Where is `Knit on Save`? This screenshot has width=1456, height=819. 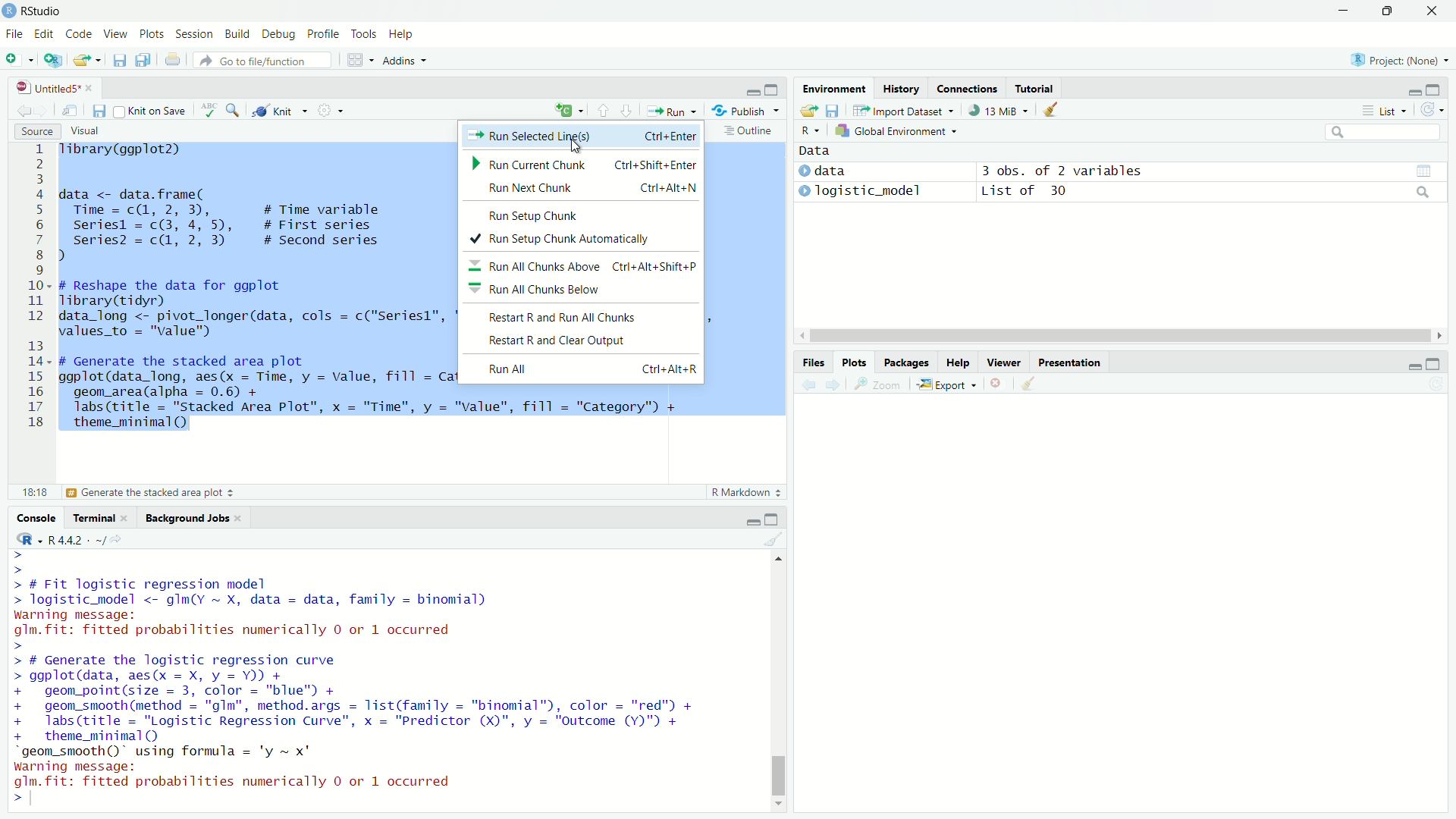
Knit on Save is located at coordinates (152, 111).